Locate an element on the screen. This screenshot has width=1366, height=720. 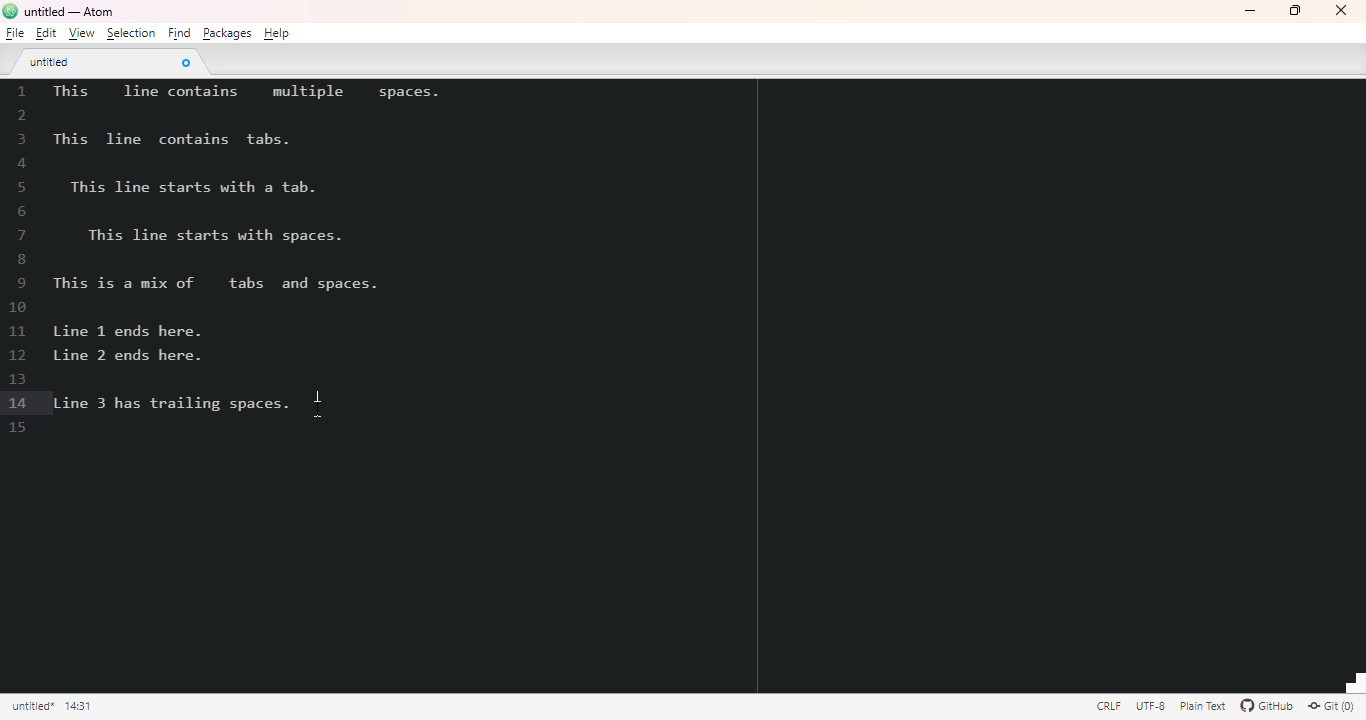
selection is located at coordinates (131, 33).